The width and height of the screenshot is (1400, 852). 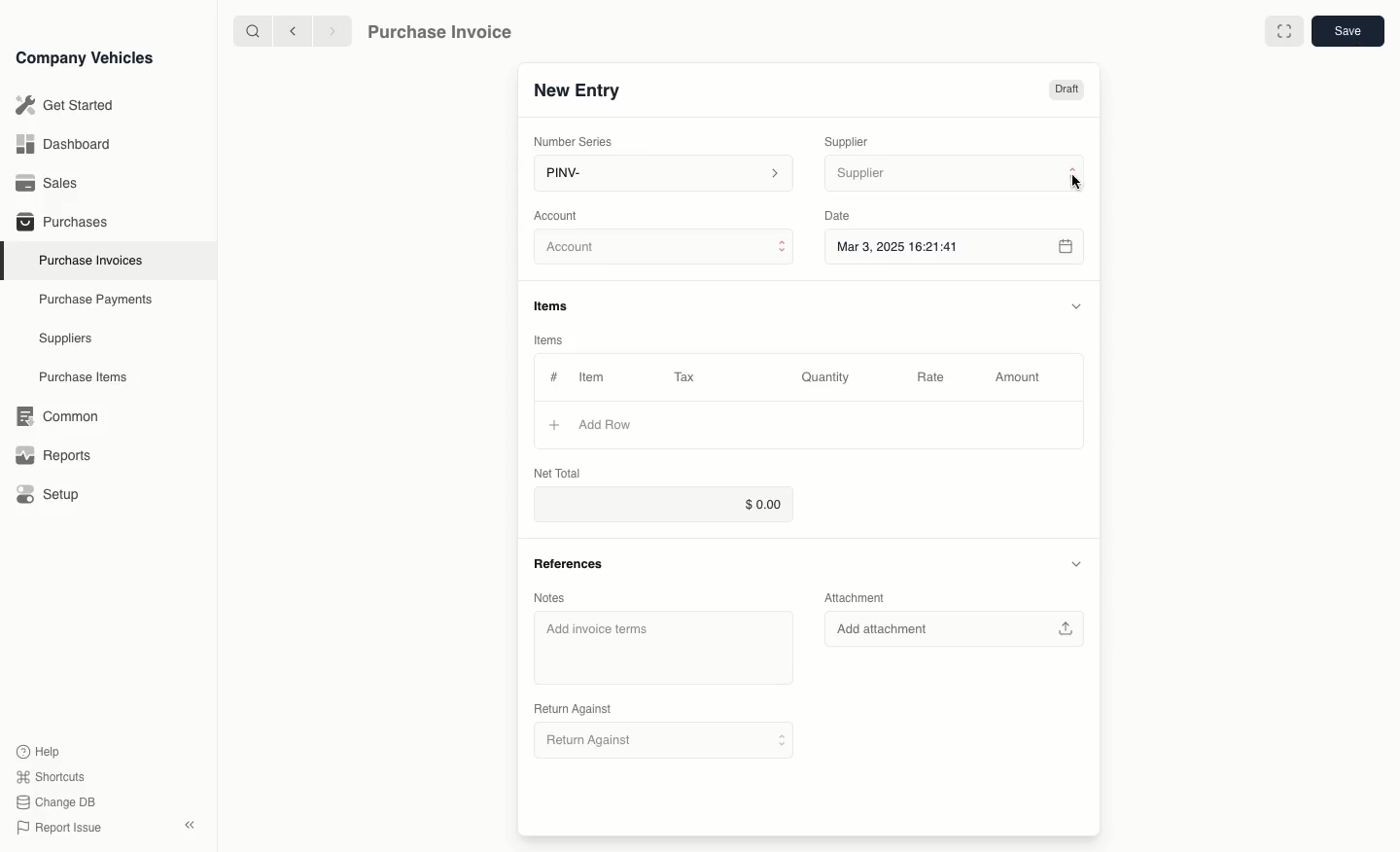 What do you see at coordinates (572, 708) in the screenshot?
I see `Return Against` at bounding box center [572, 708].